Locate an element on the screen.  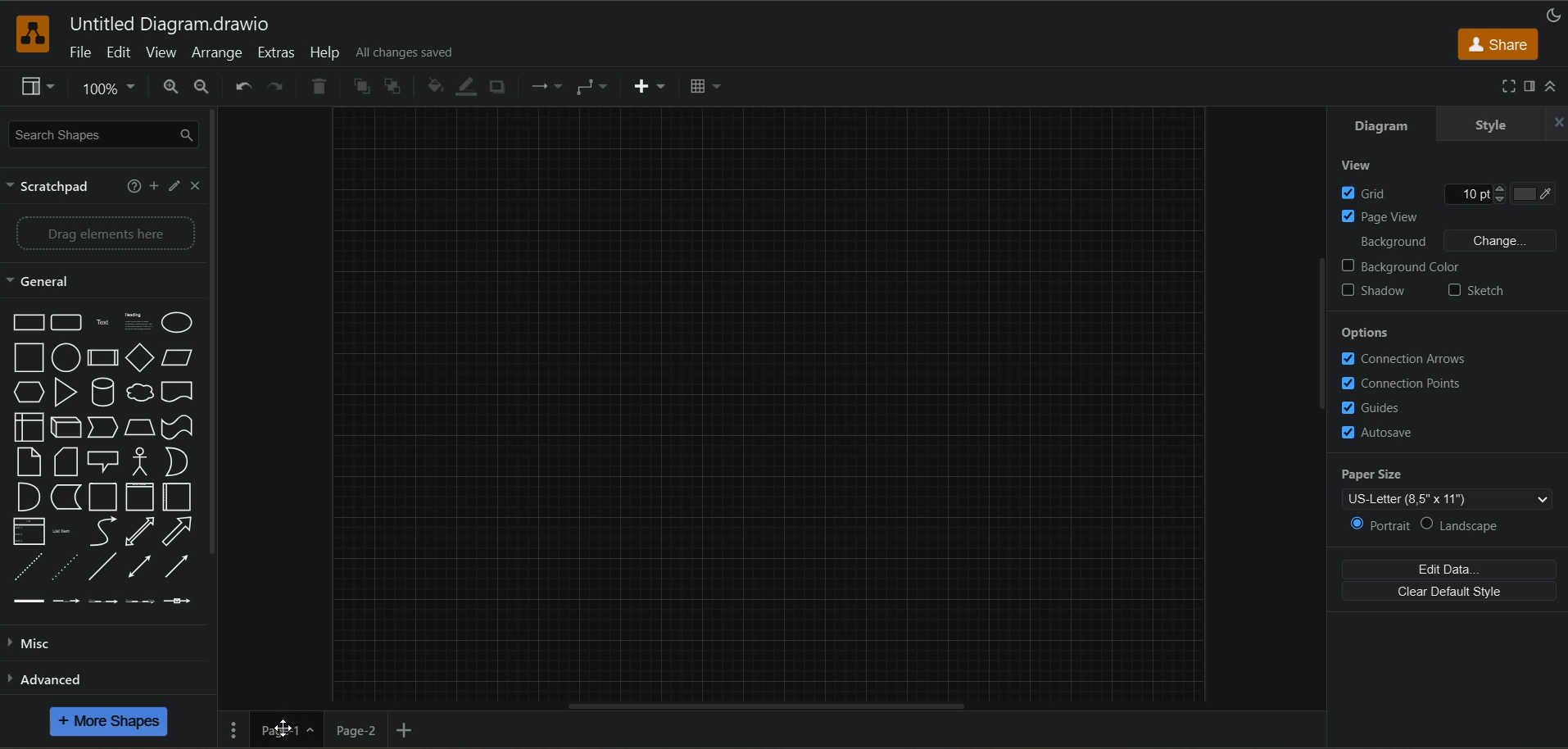
sketch is located at coordinates (1477, 292).